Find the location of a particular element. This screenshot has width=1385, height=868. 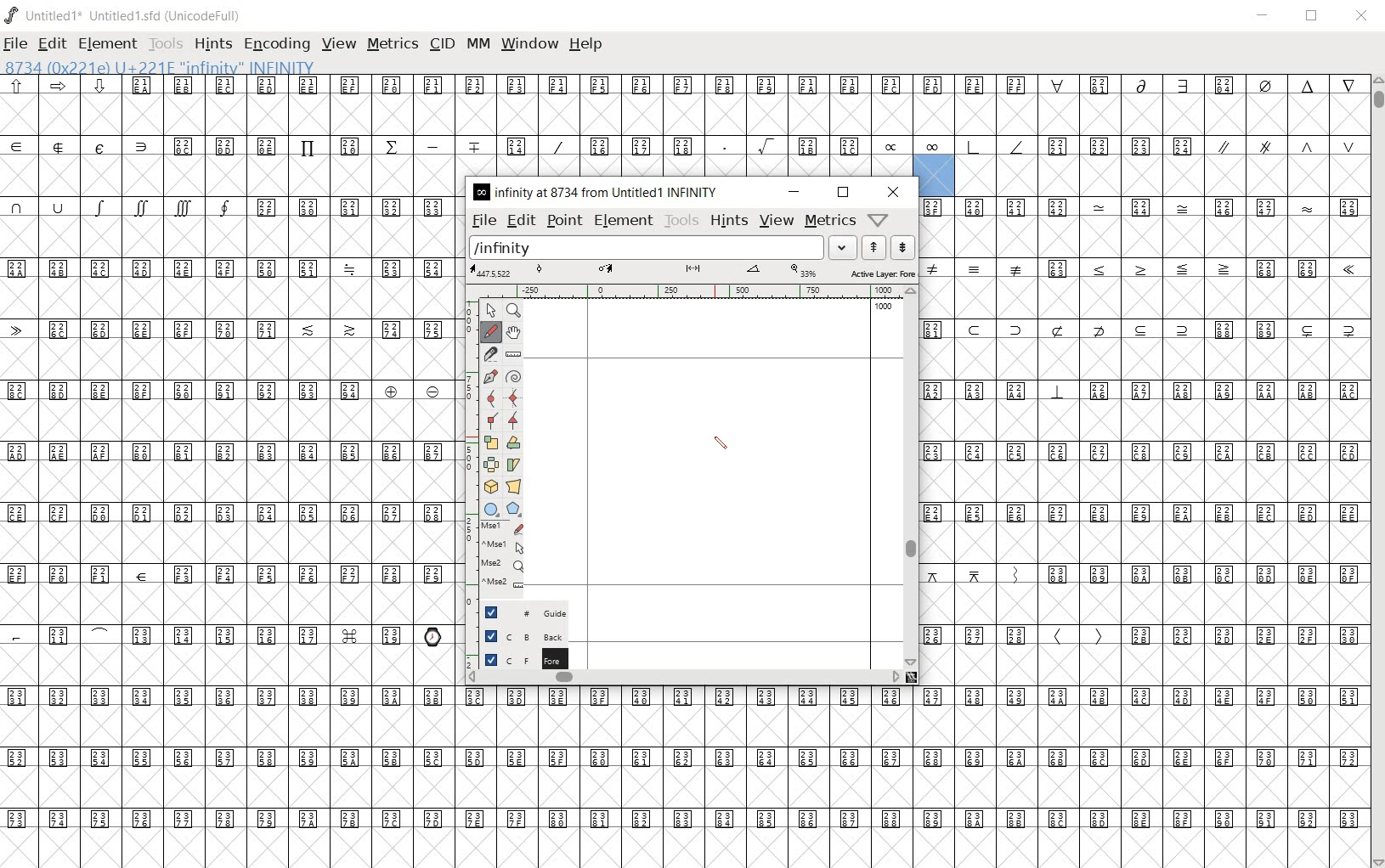

empty glyph slots is located at coordinates (682, 114).